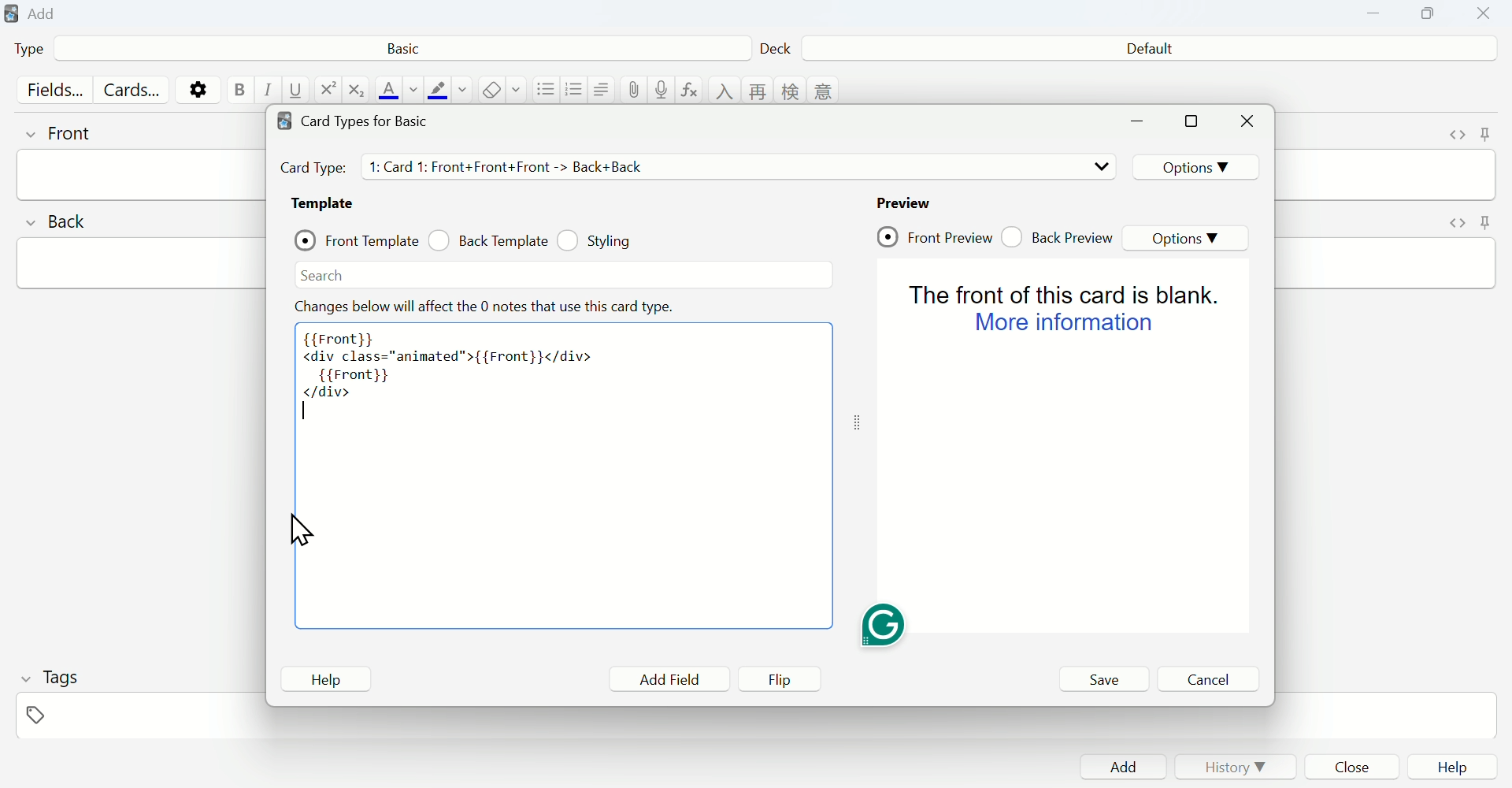 The height and width of the screenshot is (788, 1512). Describe the element at coordinates (1141, 125) in the screenshot. I see `minimize` at that location.